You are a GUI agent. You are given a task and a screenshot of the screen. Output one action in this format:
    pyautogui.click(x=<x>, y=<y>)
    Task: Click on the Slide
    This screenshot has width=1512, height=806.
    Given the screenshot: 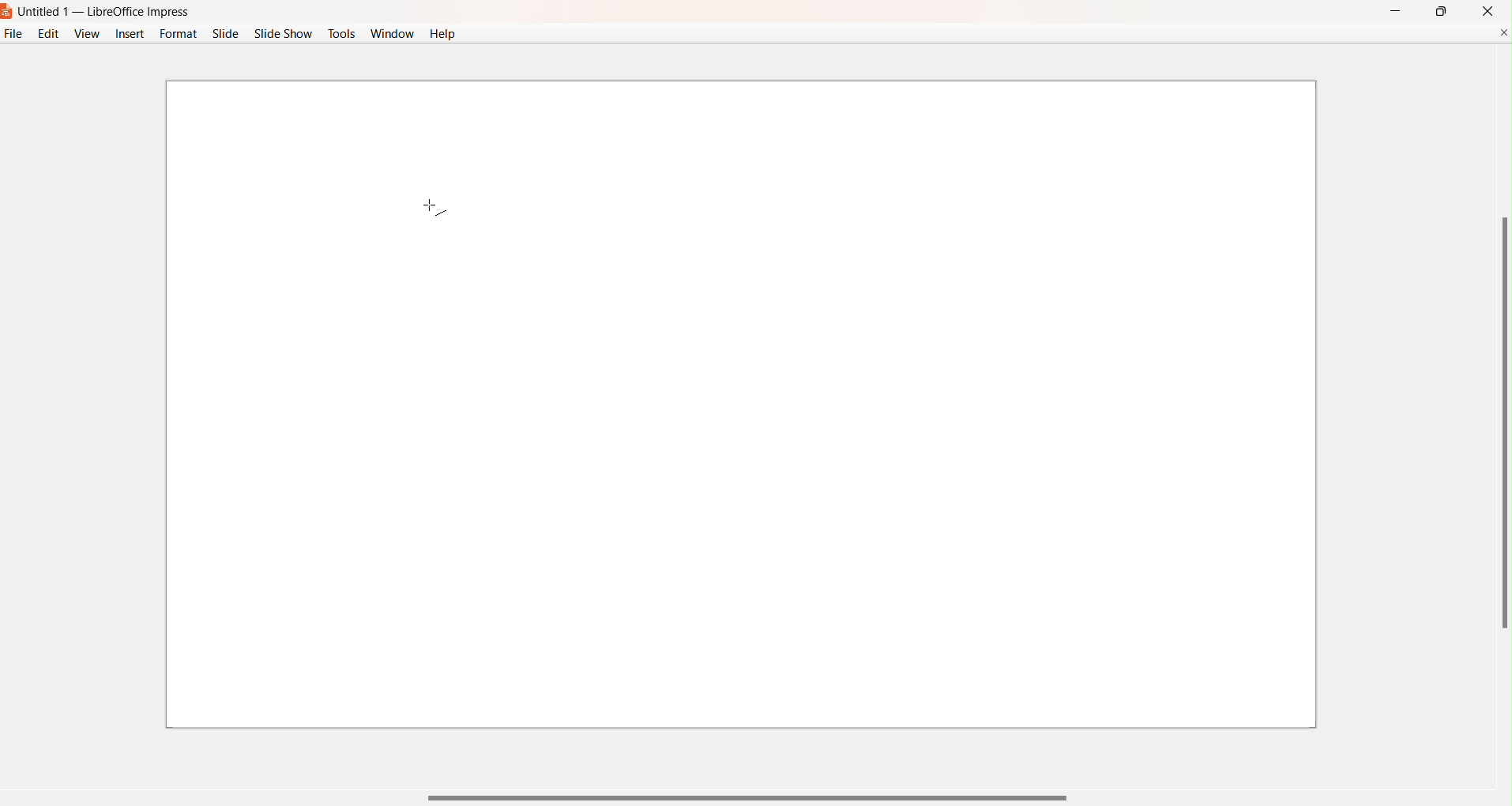 What is the action you would take?
    pyautogui.click(x=226, y=34)
    